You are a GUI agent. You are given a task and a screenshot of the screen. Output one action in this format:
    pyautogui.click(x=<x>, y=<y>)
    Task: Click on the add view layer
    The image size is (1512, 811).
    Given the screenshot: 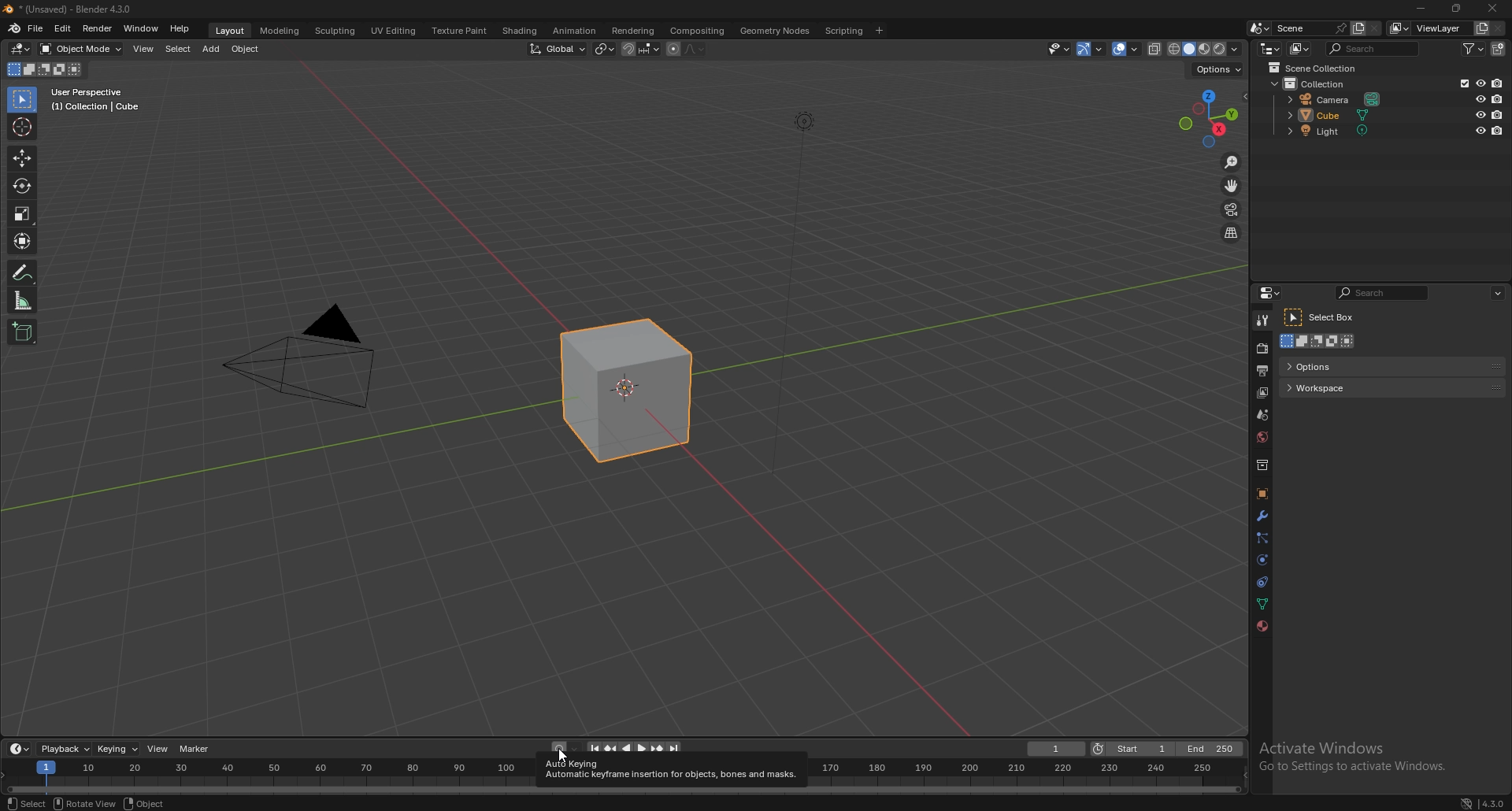 What is the action you would take?
    pyautogui.click(x=1482, y=28)
    